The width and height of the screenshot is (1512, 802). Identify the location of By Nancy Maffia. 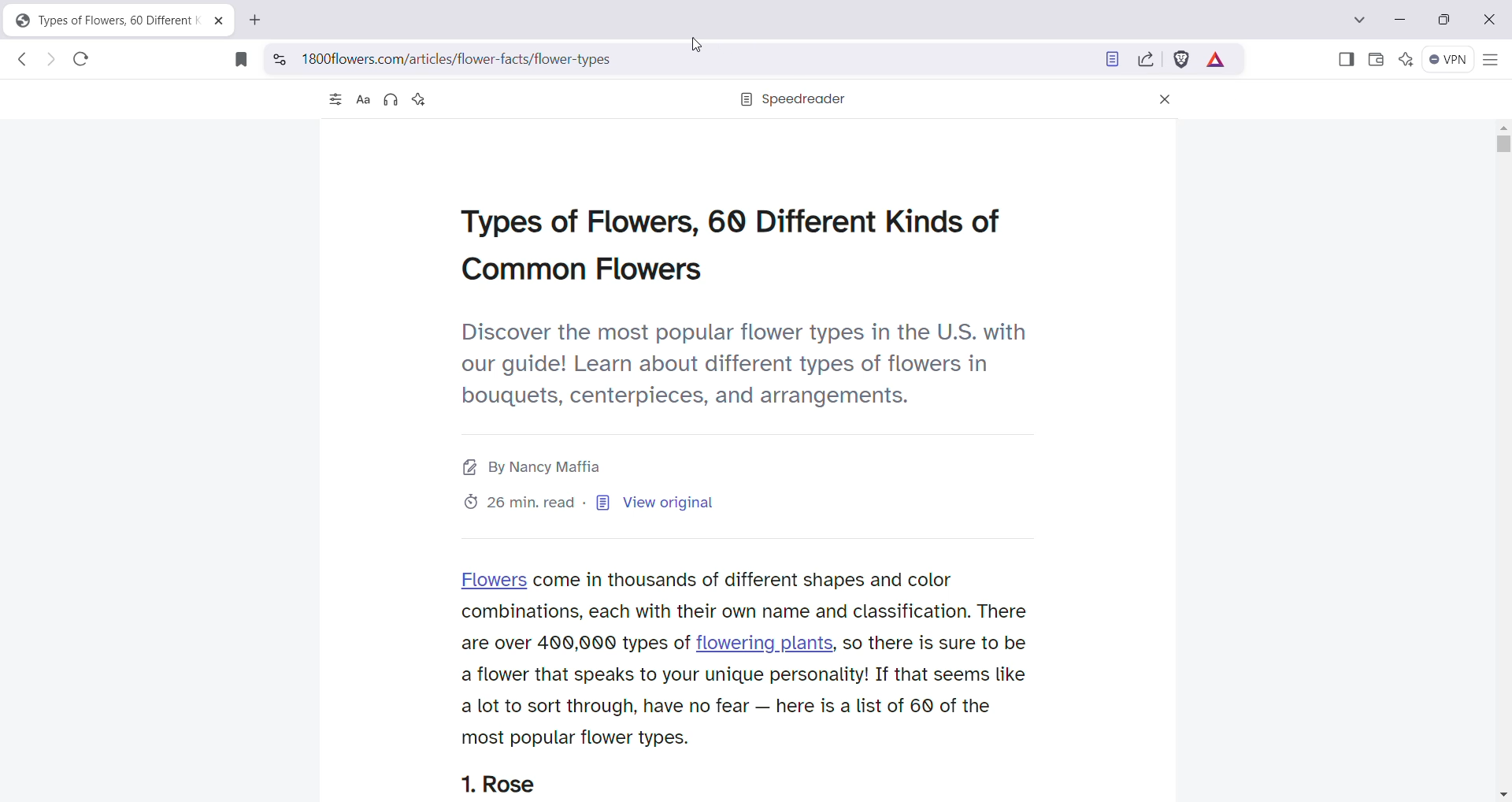
(537, 467).